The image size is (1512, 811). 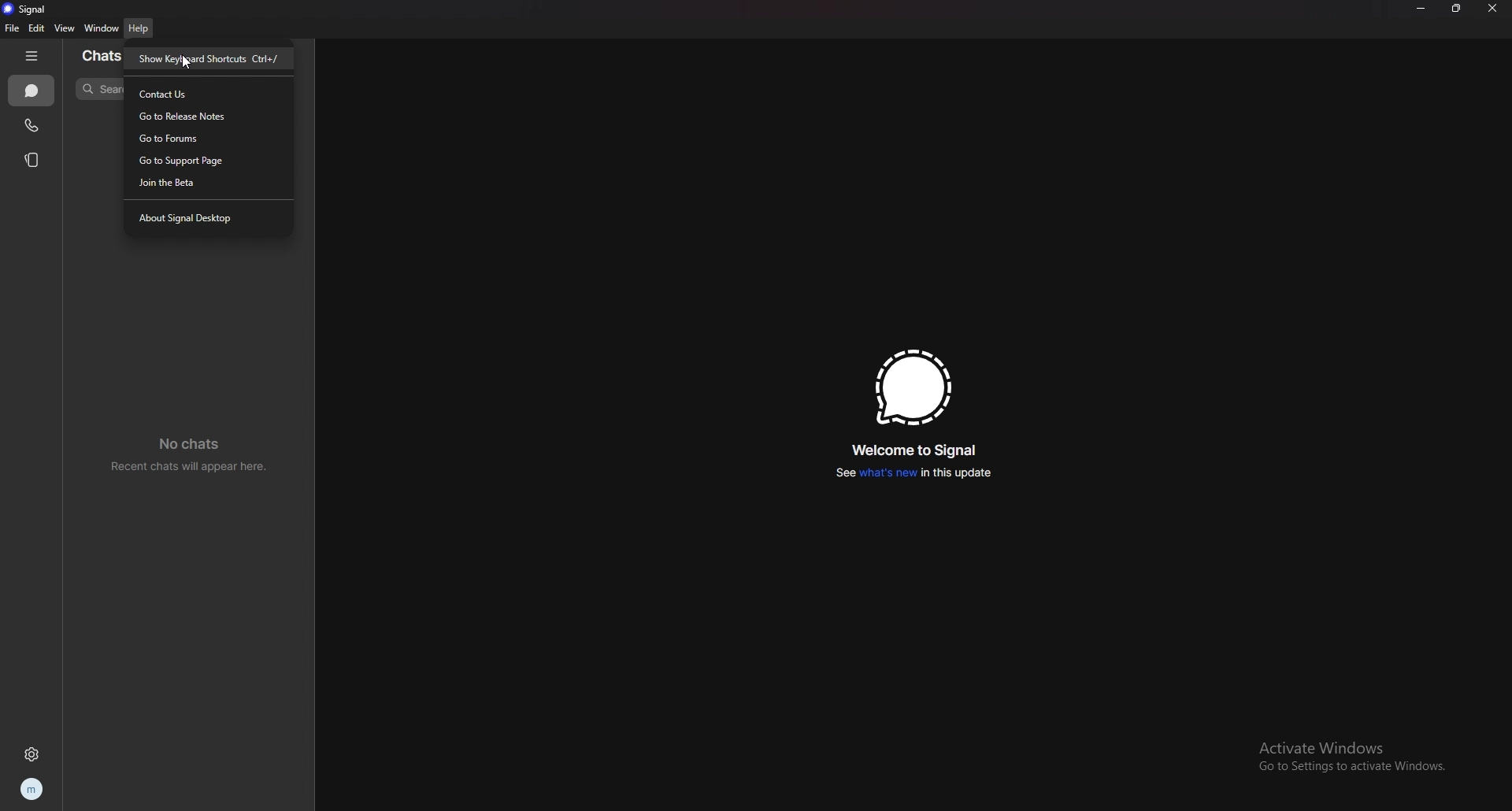 What do you see at coordinates (888, 473) in the screenshot?
I see `what's new` at bounding box center [888, 473].